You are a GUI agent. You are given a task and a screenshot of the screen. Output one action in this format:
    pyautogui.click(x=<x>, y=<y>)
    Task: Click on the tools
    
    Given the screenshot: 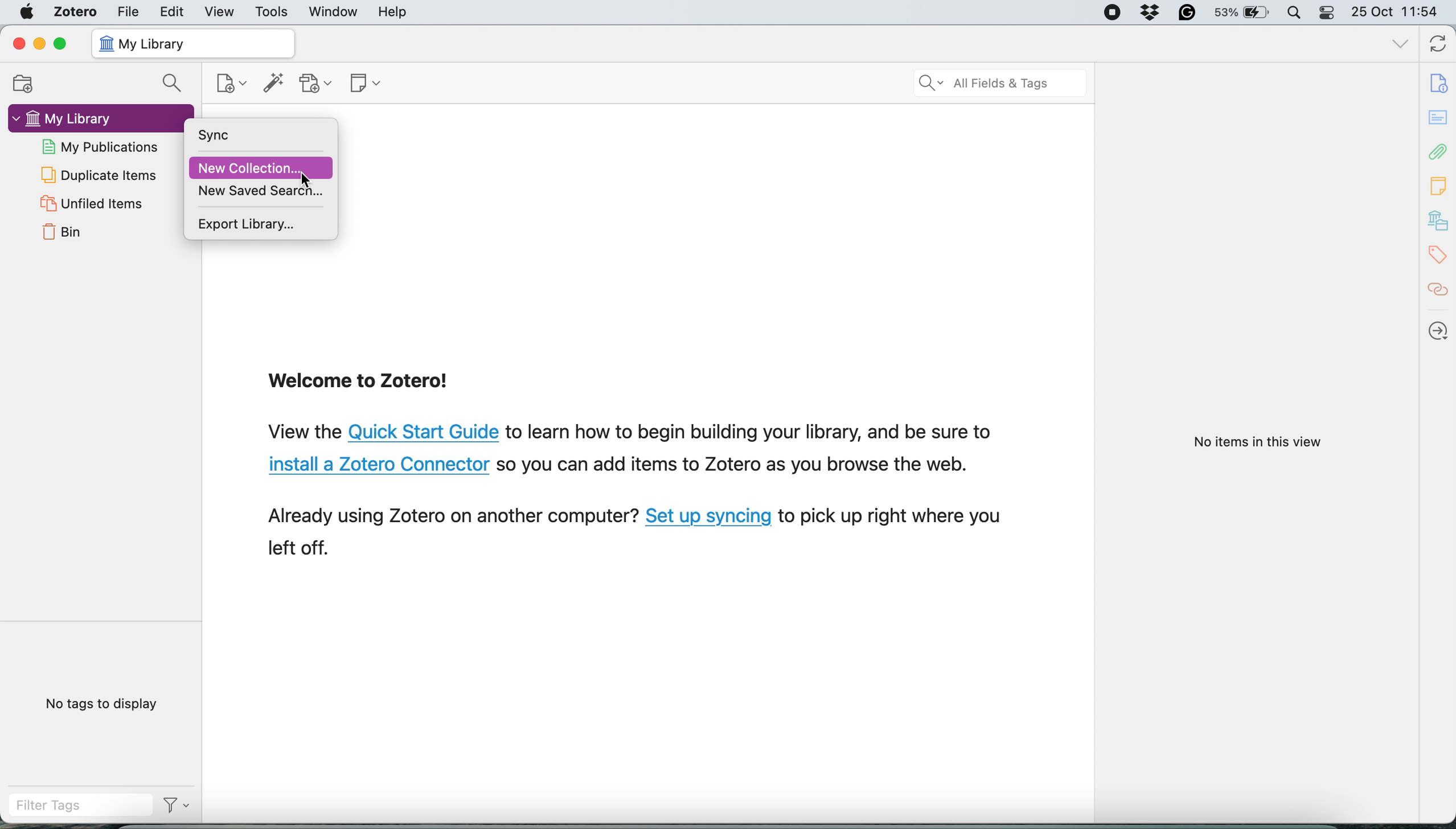 What is the action you would take?
    pyautogui.click(x=269, y=11)
    